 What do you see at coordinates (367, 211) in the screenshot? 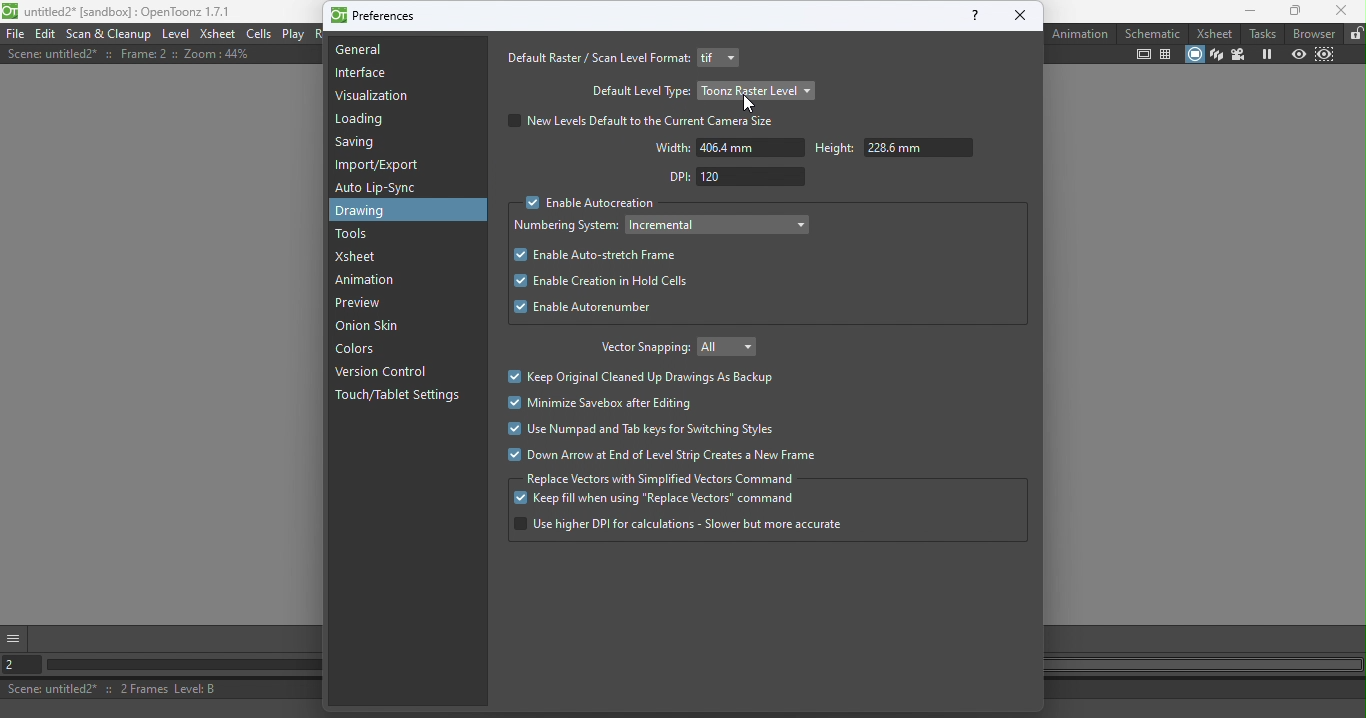
I see `Drawing` at bounding box center [367, 211].